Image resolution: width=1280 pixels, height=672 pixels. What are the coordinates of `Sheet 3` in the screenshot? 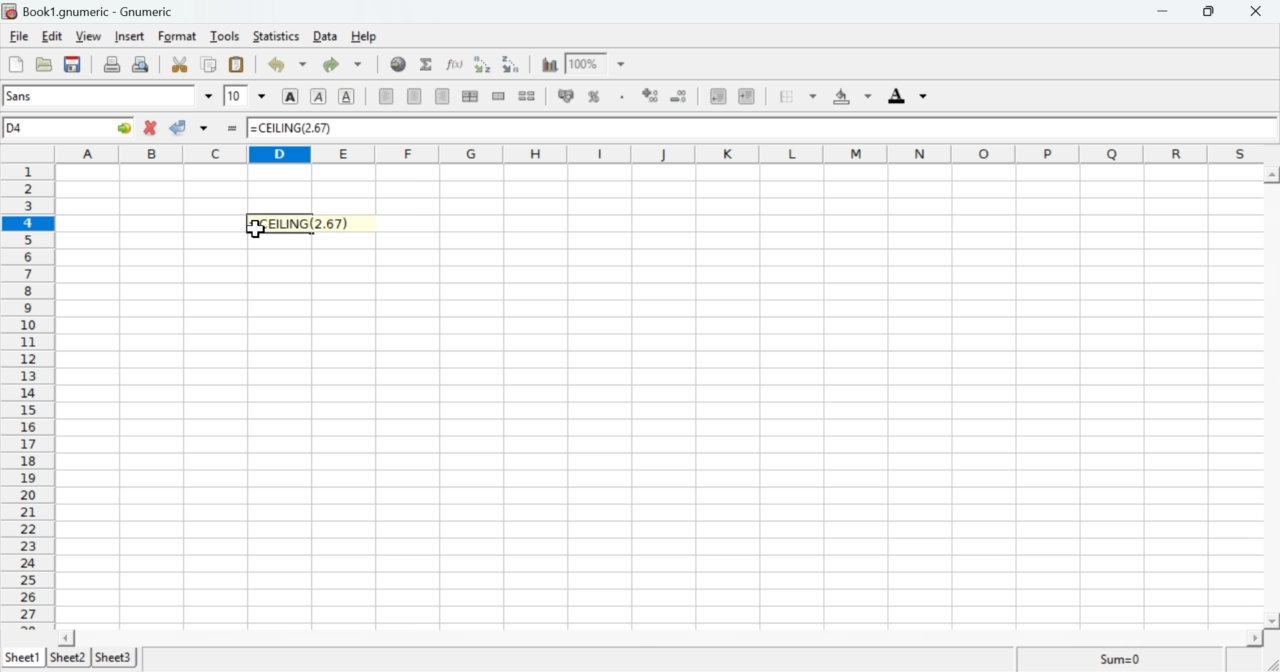 It's located at (115, 657).